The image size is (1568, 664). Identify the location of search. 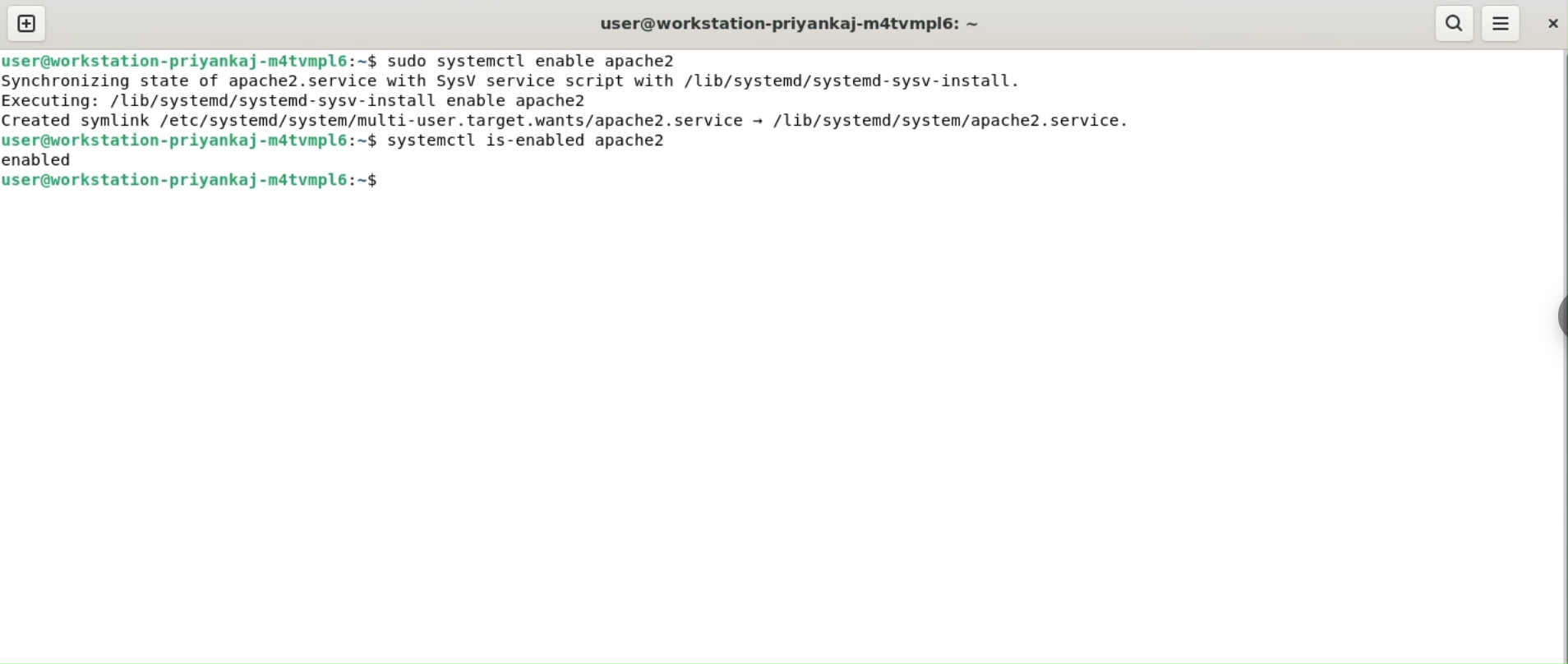
(1455, 24).